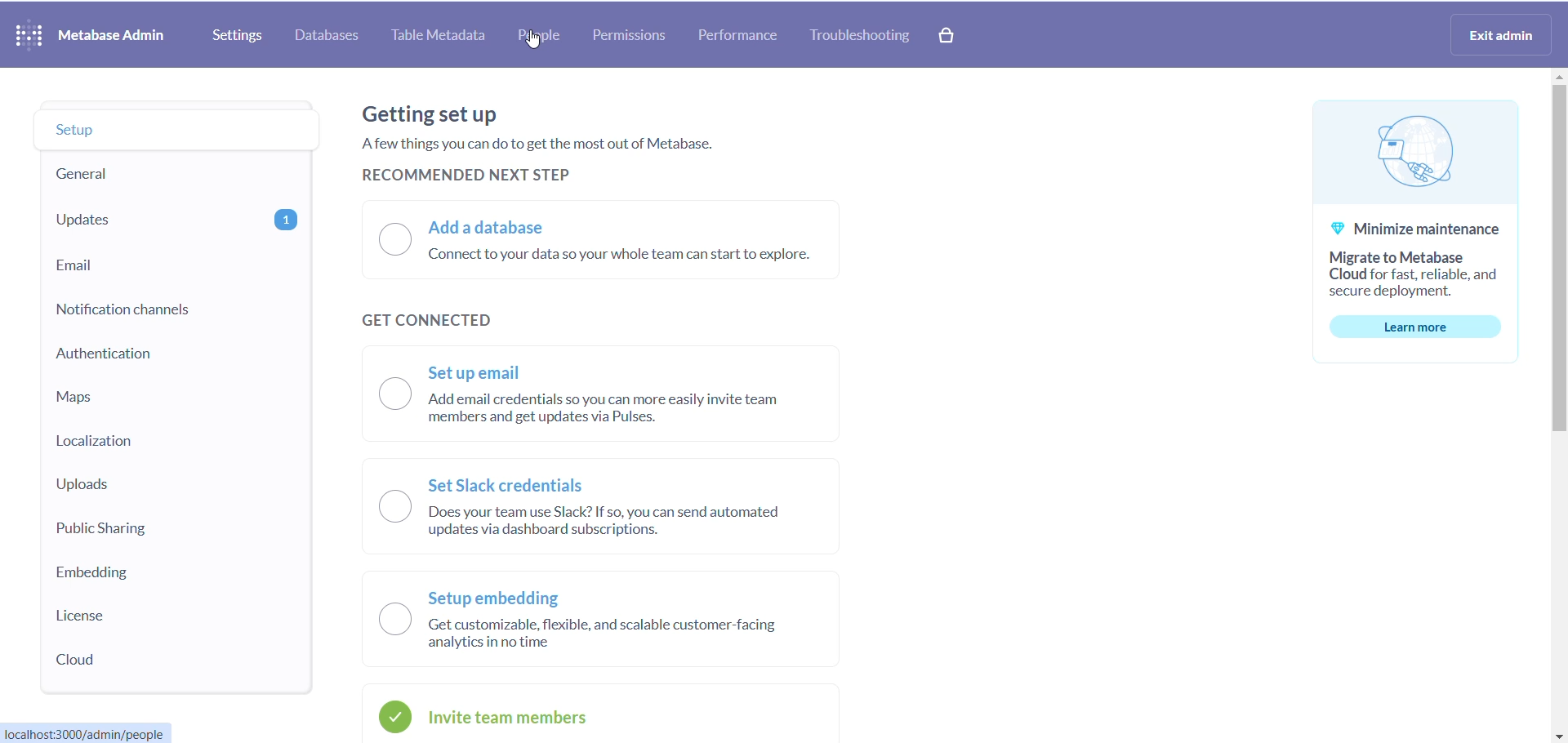 The image size is (1568, 743). What do you see at coordinates (433, 324) in the screenshot?
I see `get connected` at bounding box center [433, 324].